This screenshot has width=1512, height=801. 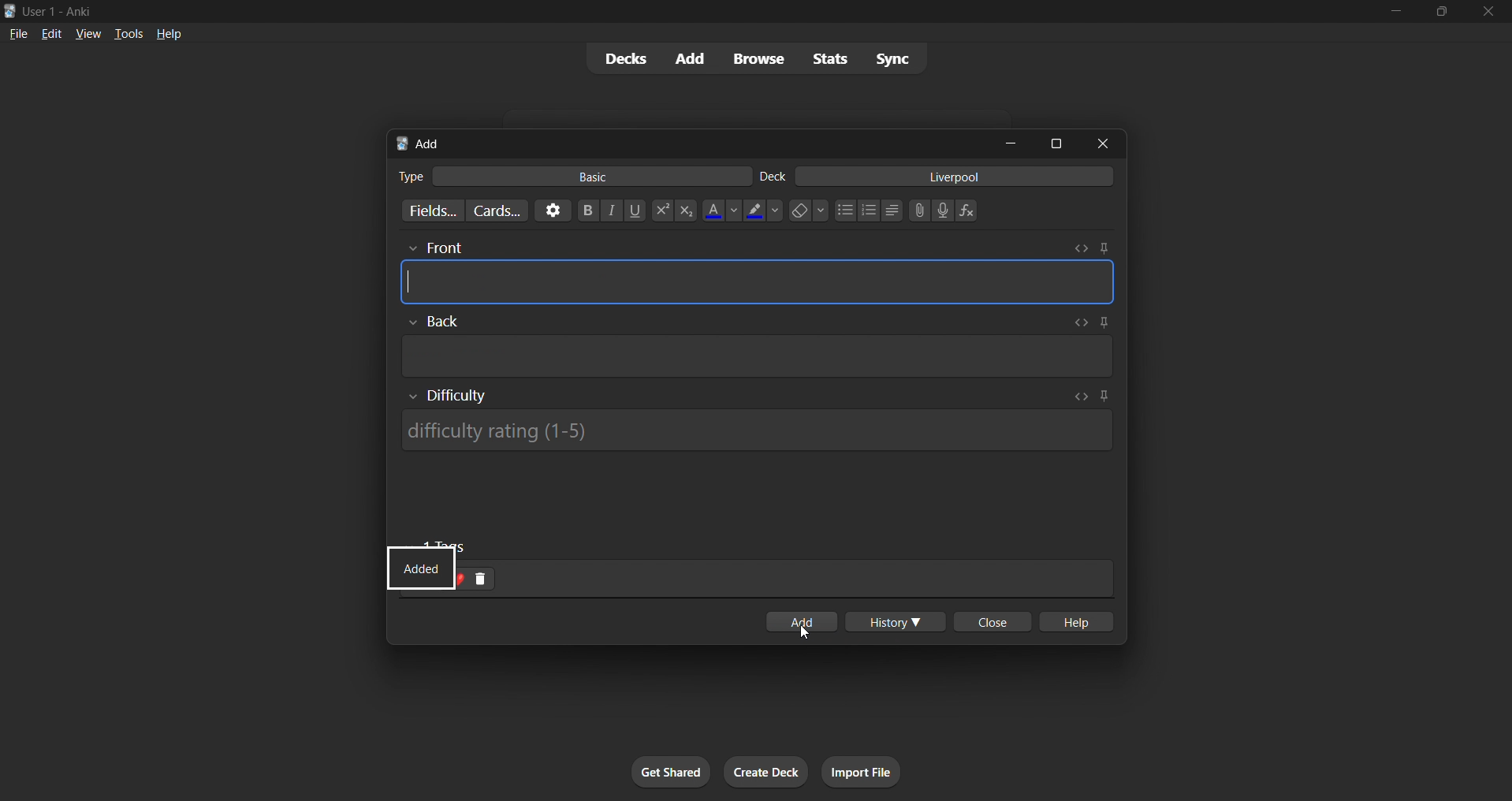 I want to click on maximize/restore, so click(x=1442, y=12).